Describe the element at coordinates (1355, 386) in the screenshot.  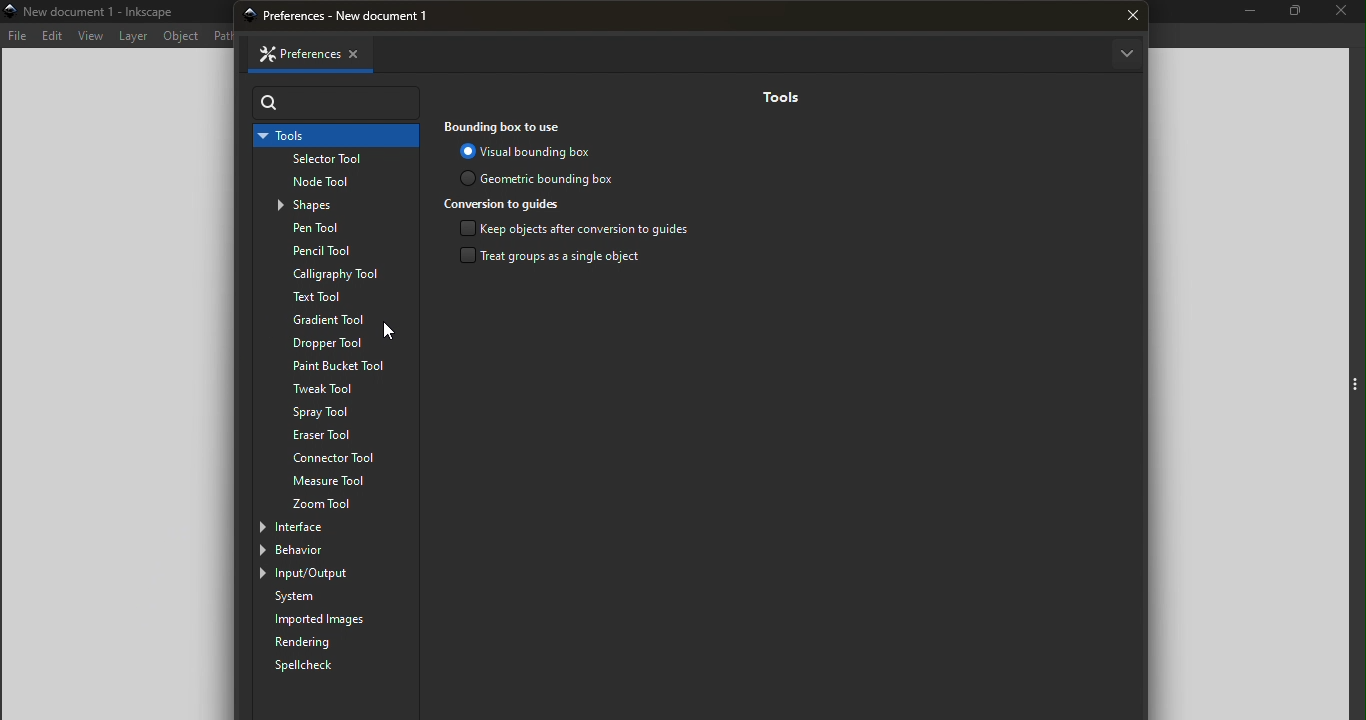
I see `Toggle command panel` at that location.